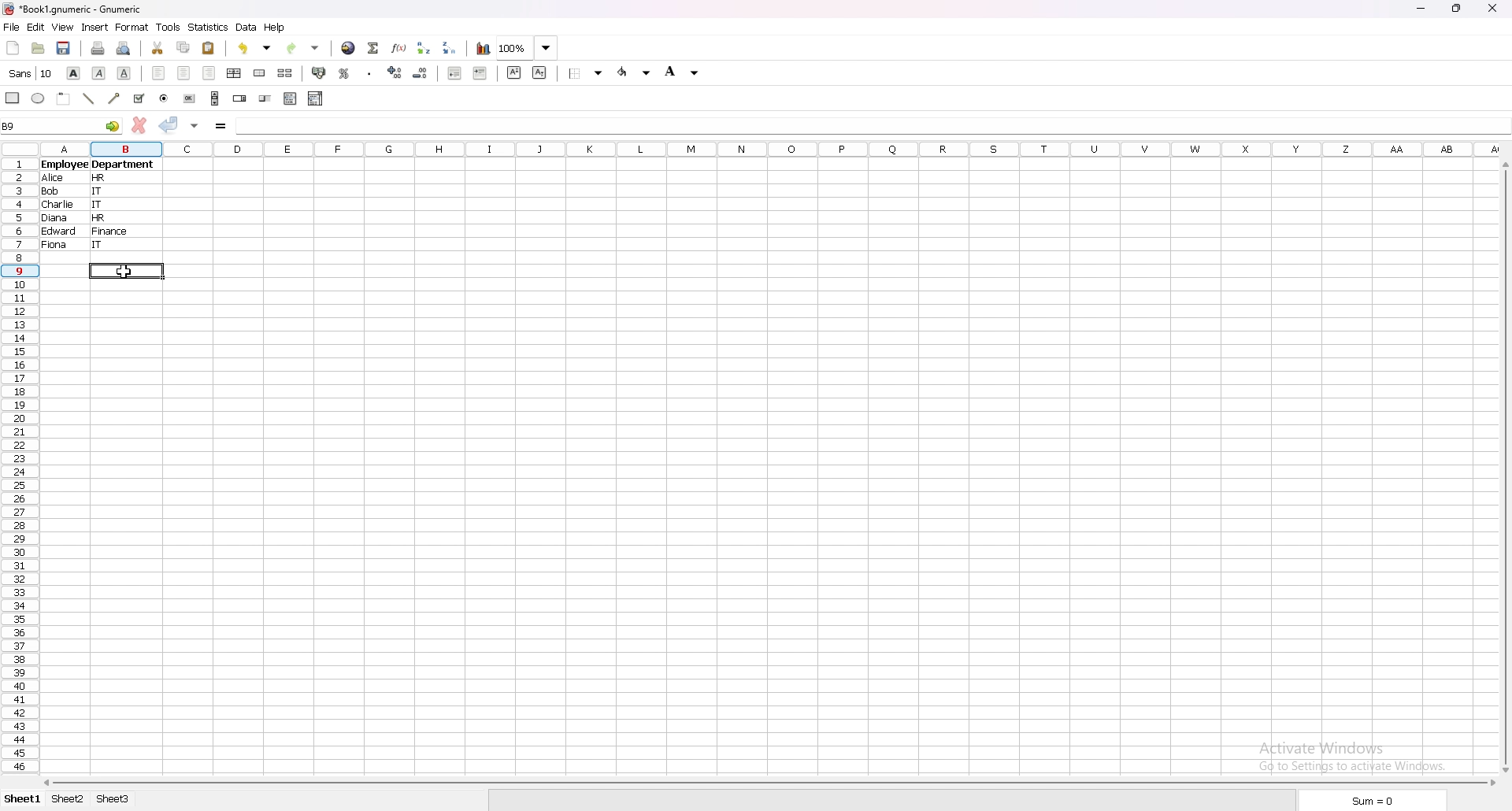 The height and width of the screenshot is (811, 1512). What do you see at coordinates (776, 150) in the screenshot?
I see `columns` at bounding box center [776, 150].